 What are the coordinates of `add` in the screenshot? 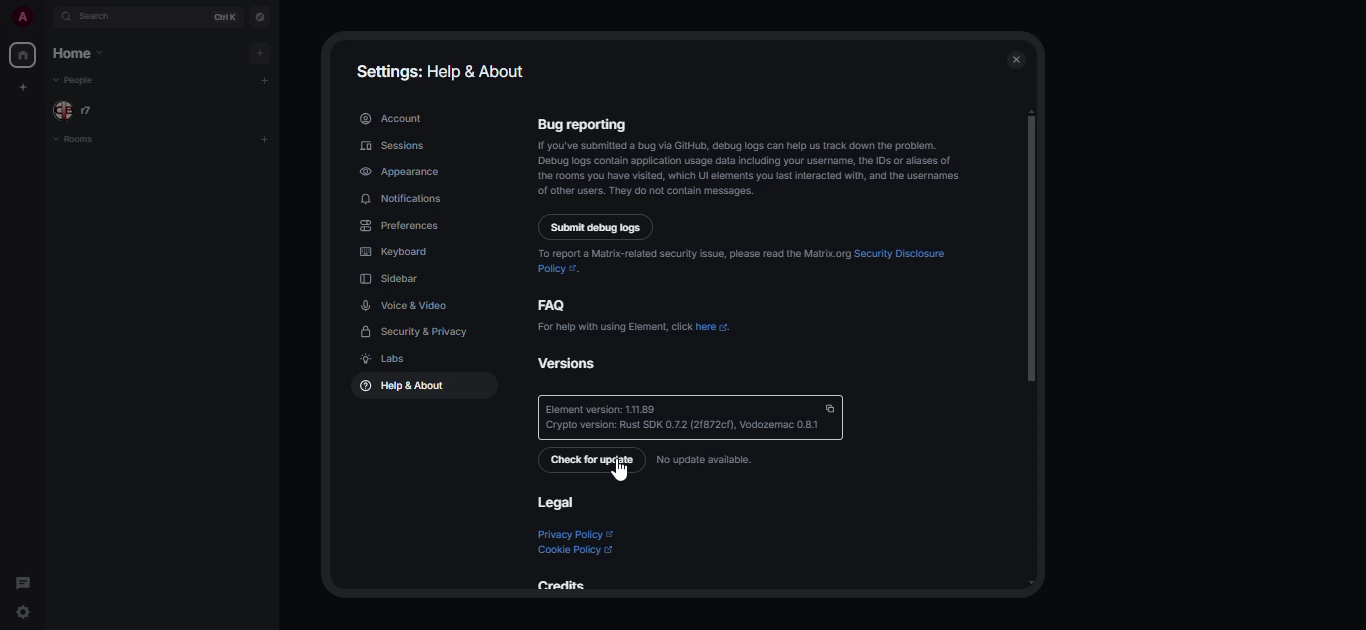 It's located at (264, 81).